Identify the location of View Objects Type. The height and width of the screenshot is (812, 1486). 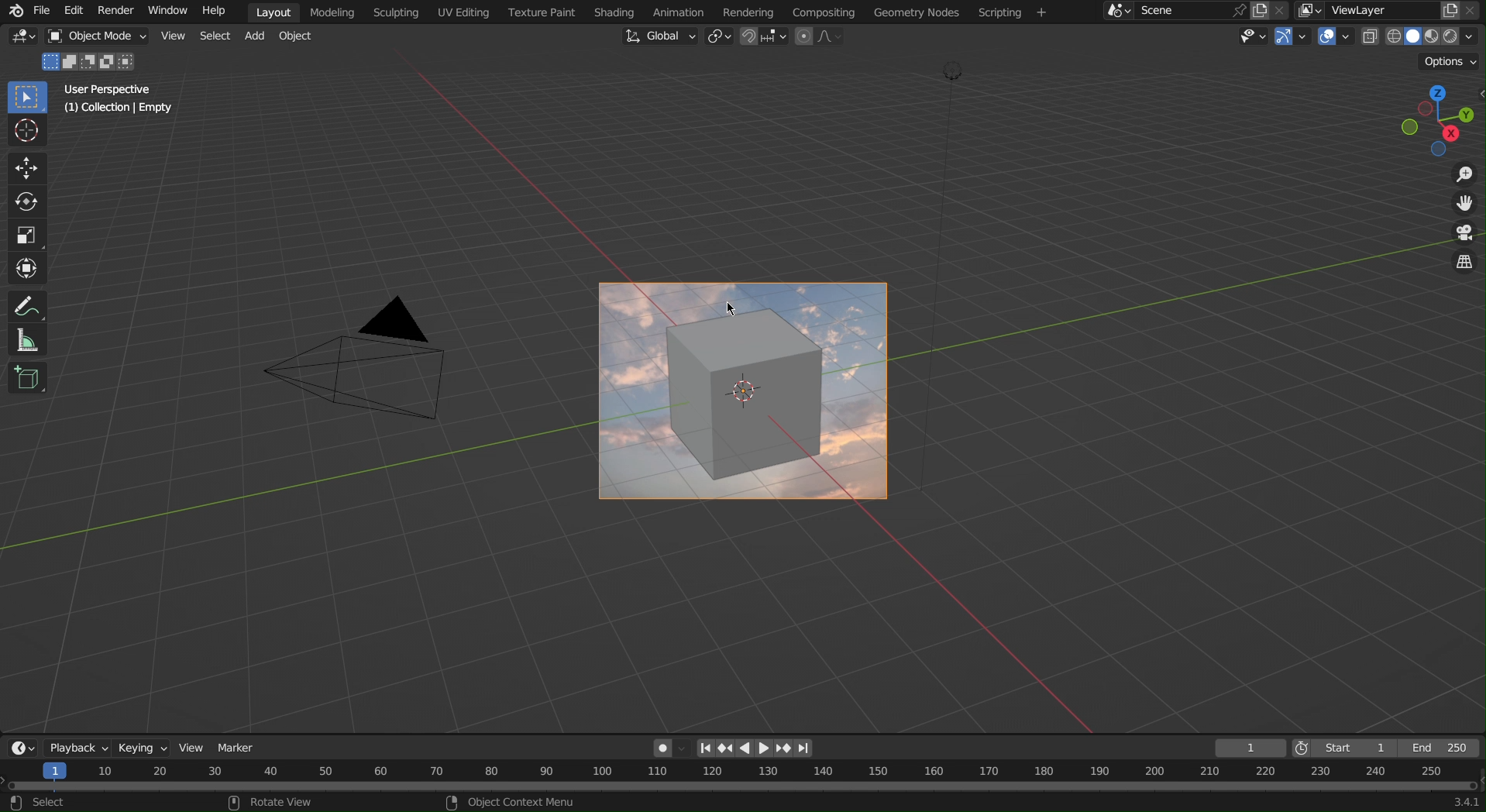
(1250, 36).